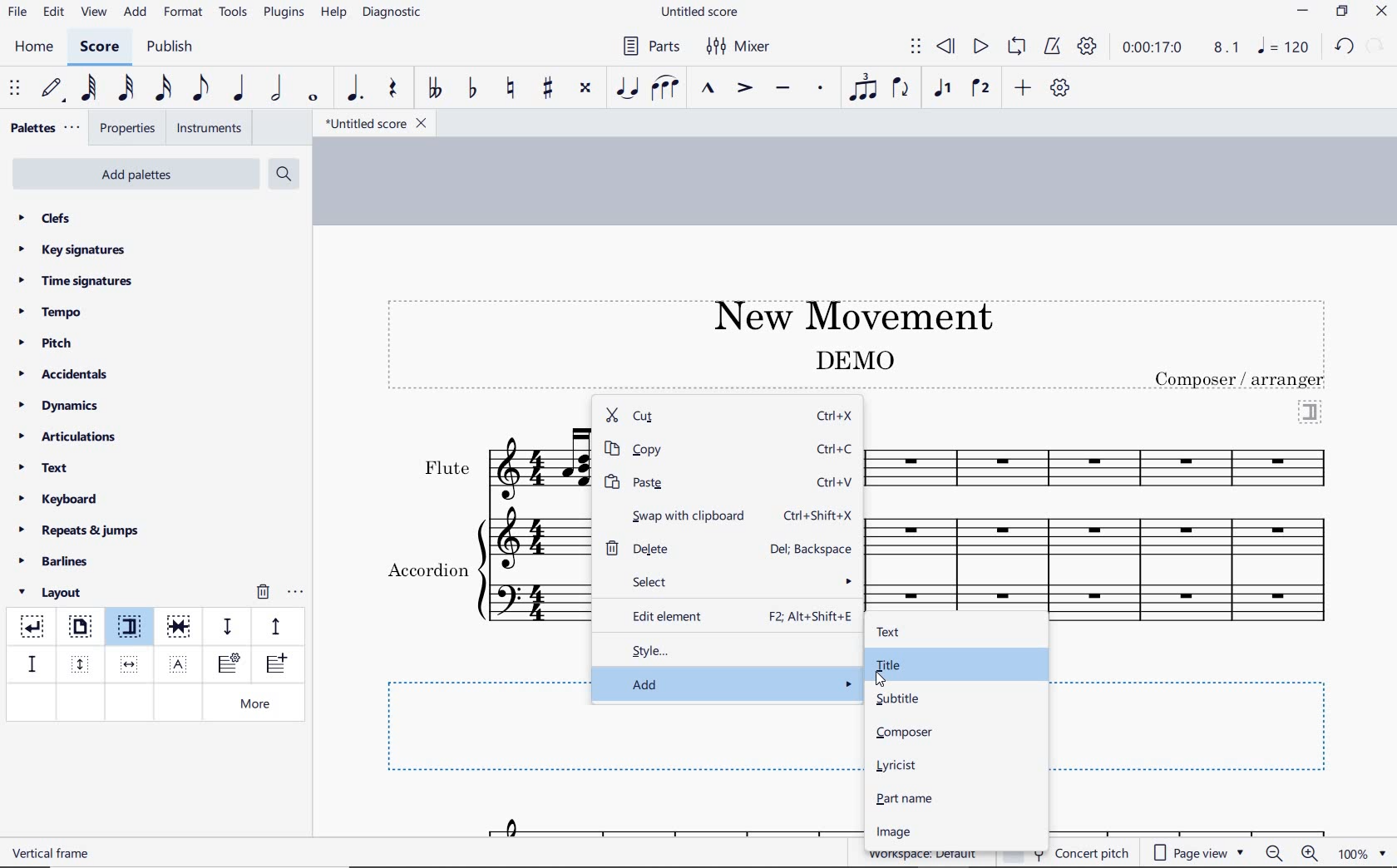  Describe the element at coordinates (1303, 12) in the screenshot. I see `minimize` at that location.